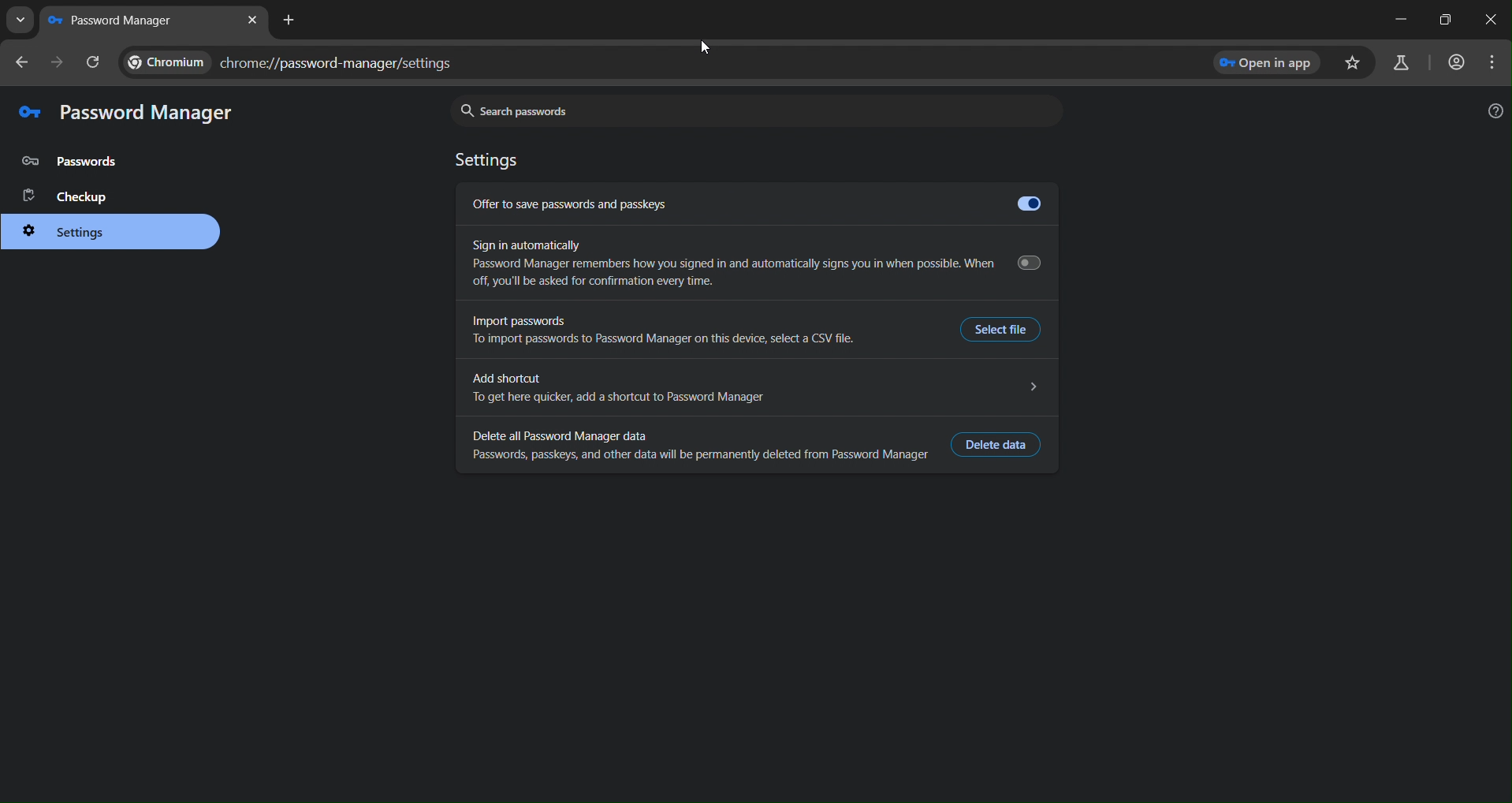 This screenshot has height=803, width=1512. Describe the element at coordinates (1000, 445) in the screenshot. I see `delete data` at that location.